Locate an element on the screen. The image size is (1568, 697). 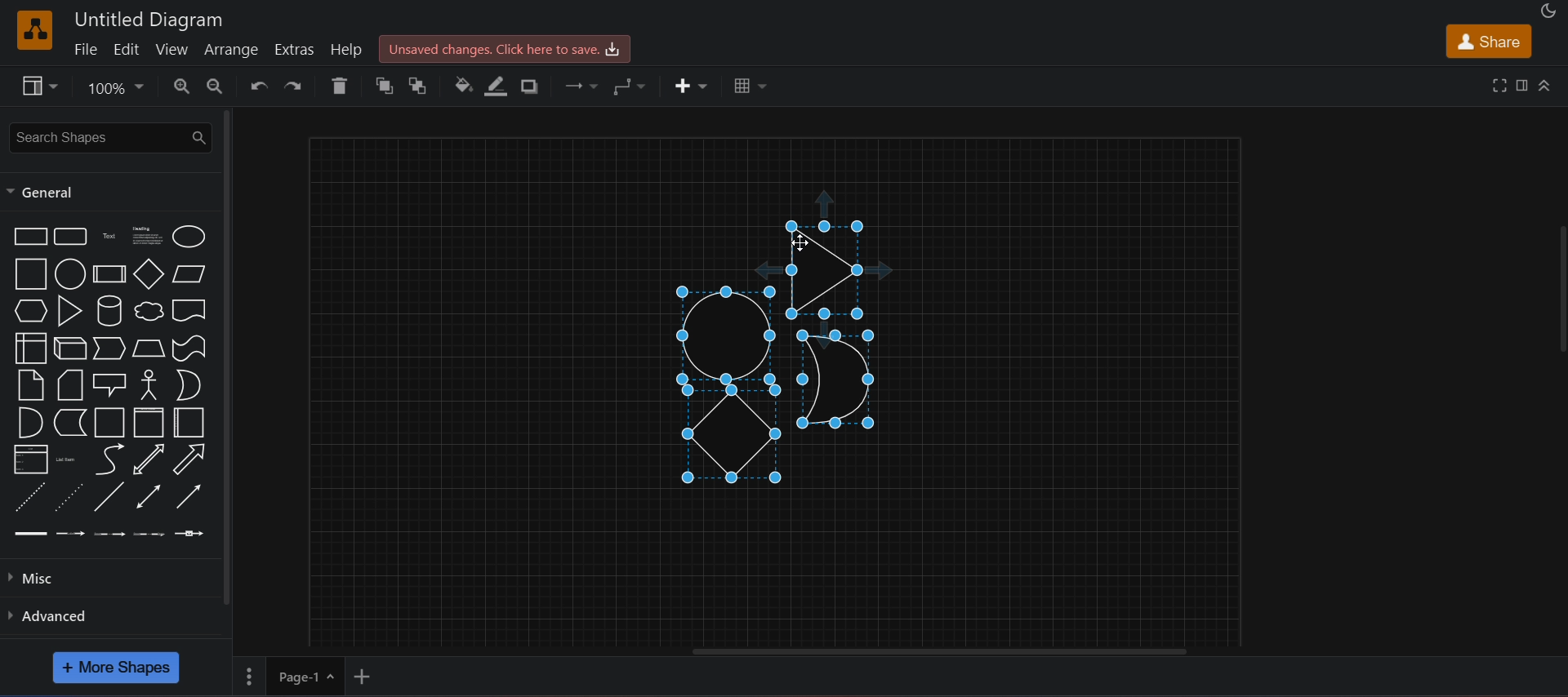
add new page is located at coordinates (374, 675).